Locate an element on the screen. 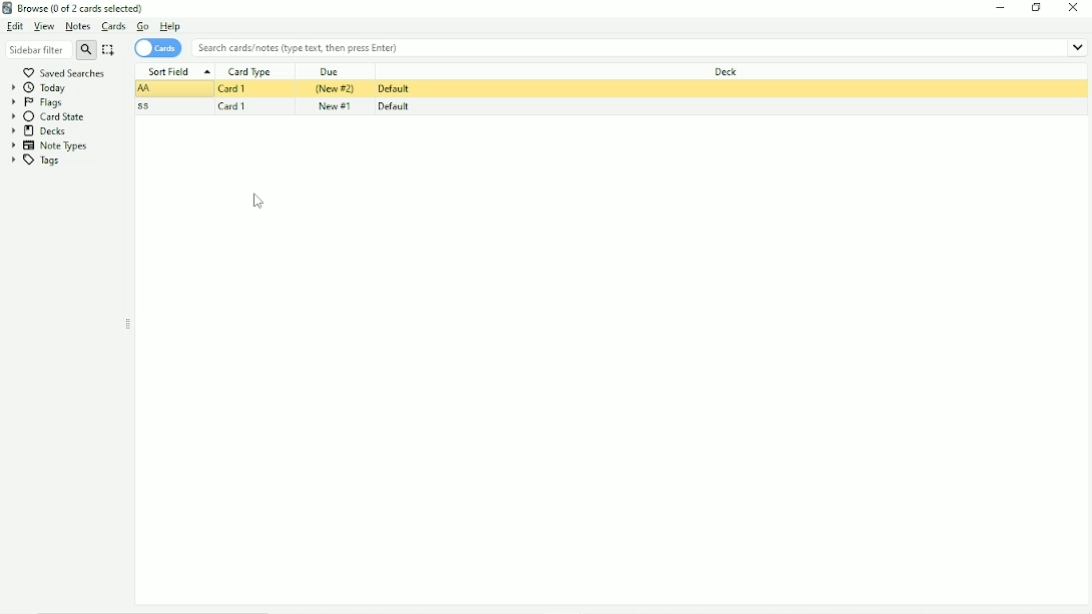  Deck is located at coordinates (726, 71).